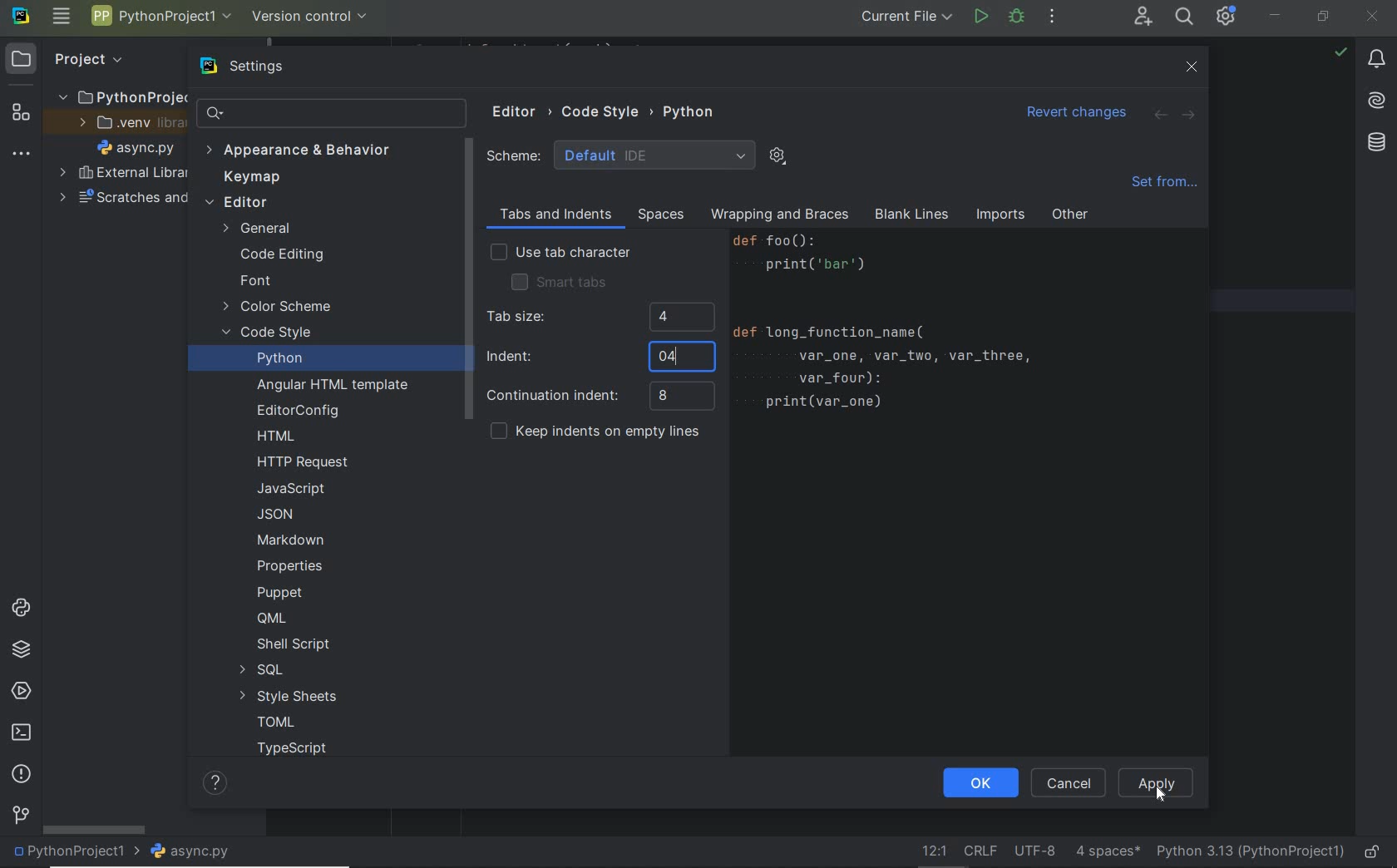 This screenshot has height=868, width=1397. What do you see at coordinates (259, 670) in the screenshot?
I see `SQL` at bounding box center [259, 670].